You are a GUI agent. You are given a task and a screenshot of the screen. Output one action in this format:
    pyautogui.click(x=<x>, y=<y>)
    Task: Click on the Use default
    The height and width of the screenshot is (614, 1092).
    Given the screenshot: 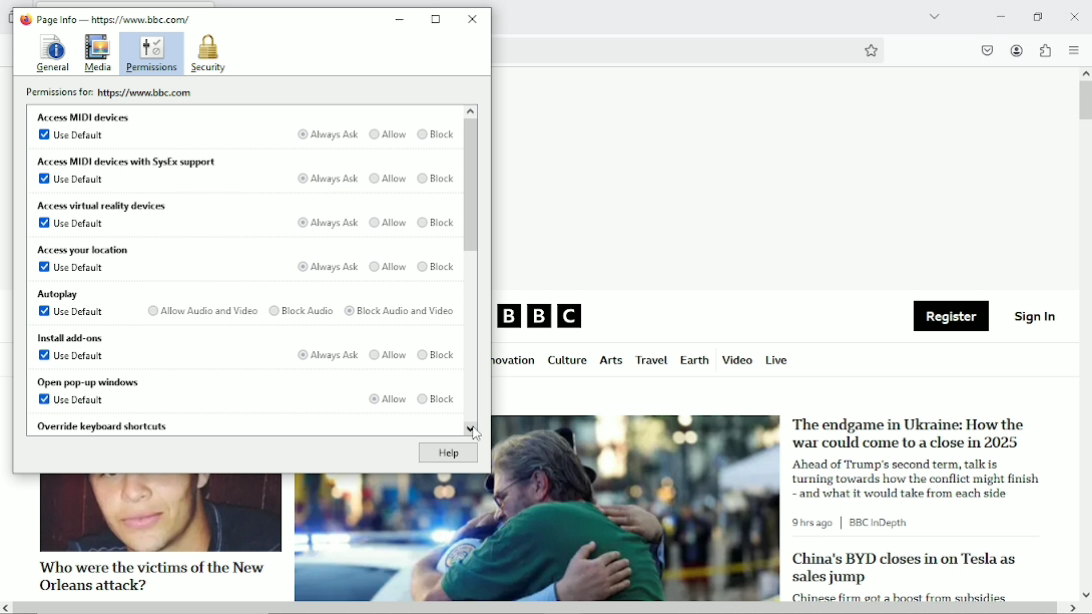 What is the action you would take?
    pyautogui.click(x=73, y=311)
    